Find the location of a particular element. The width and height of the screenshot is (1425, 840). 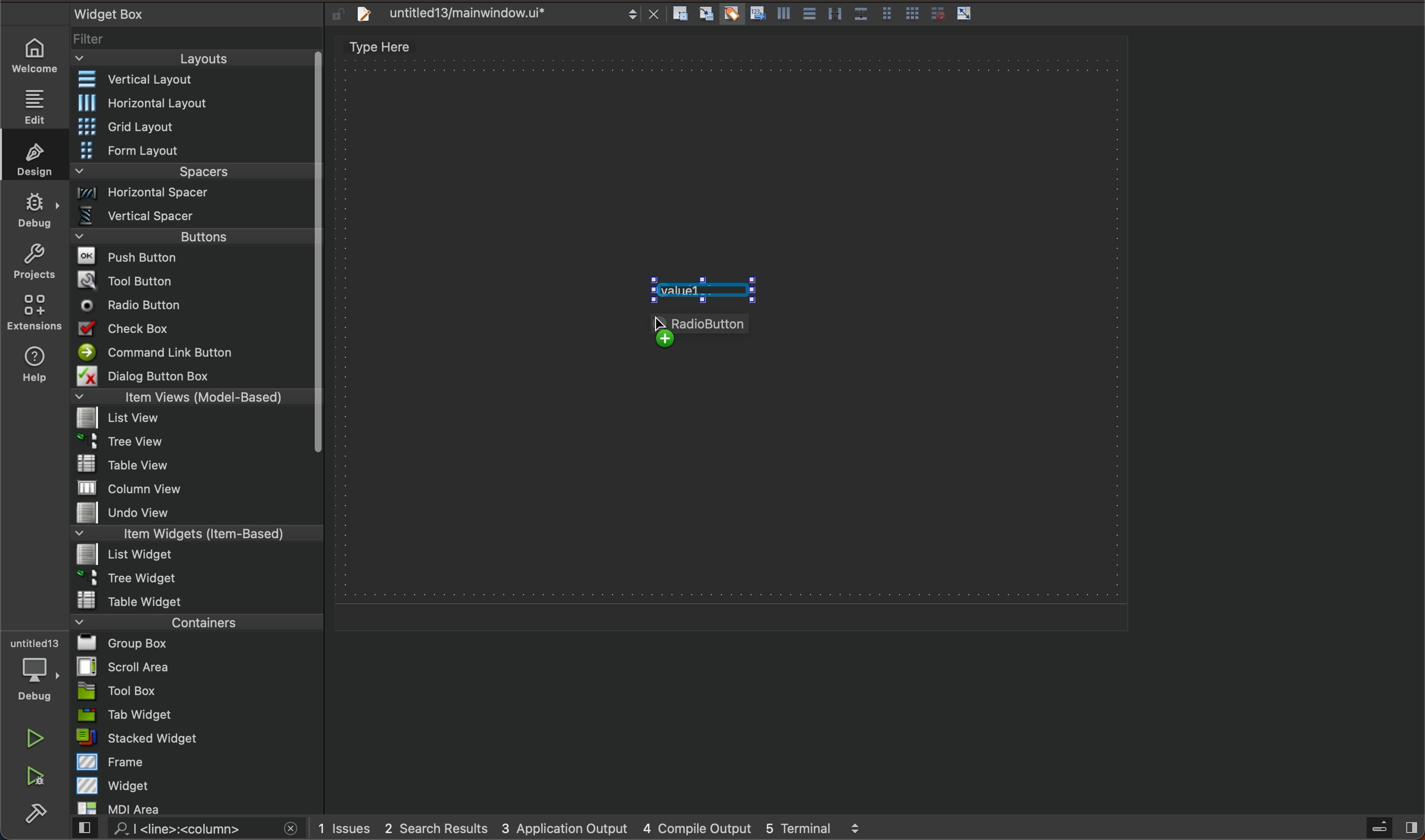

 is located at coordinates (835, 15).